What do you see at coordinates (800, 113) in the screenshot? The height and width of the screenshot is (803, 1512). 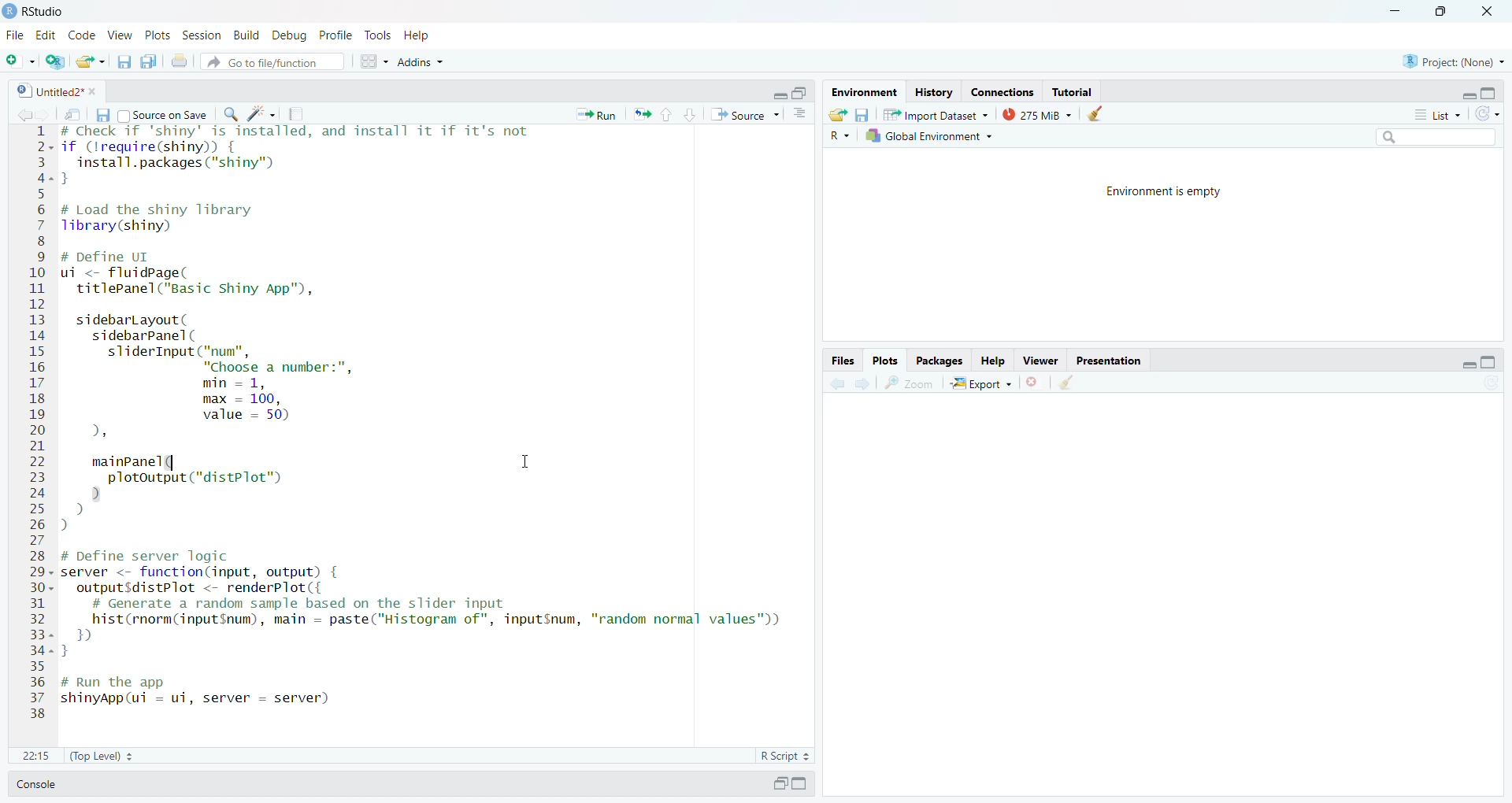 I see `options` at bounding box center [800, 113].